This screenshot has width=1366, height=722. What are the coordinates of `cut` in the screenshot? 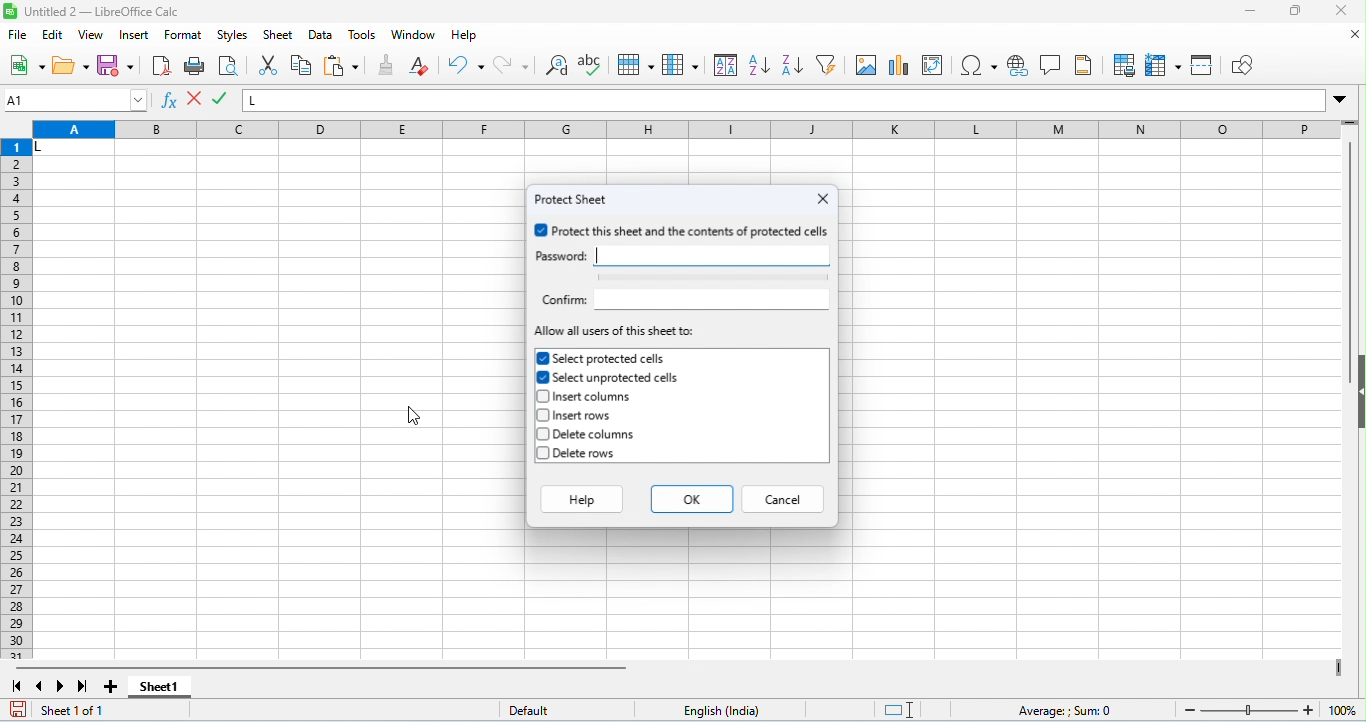 It's located at (271, 65).